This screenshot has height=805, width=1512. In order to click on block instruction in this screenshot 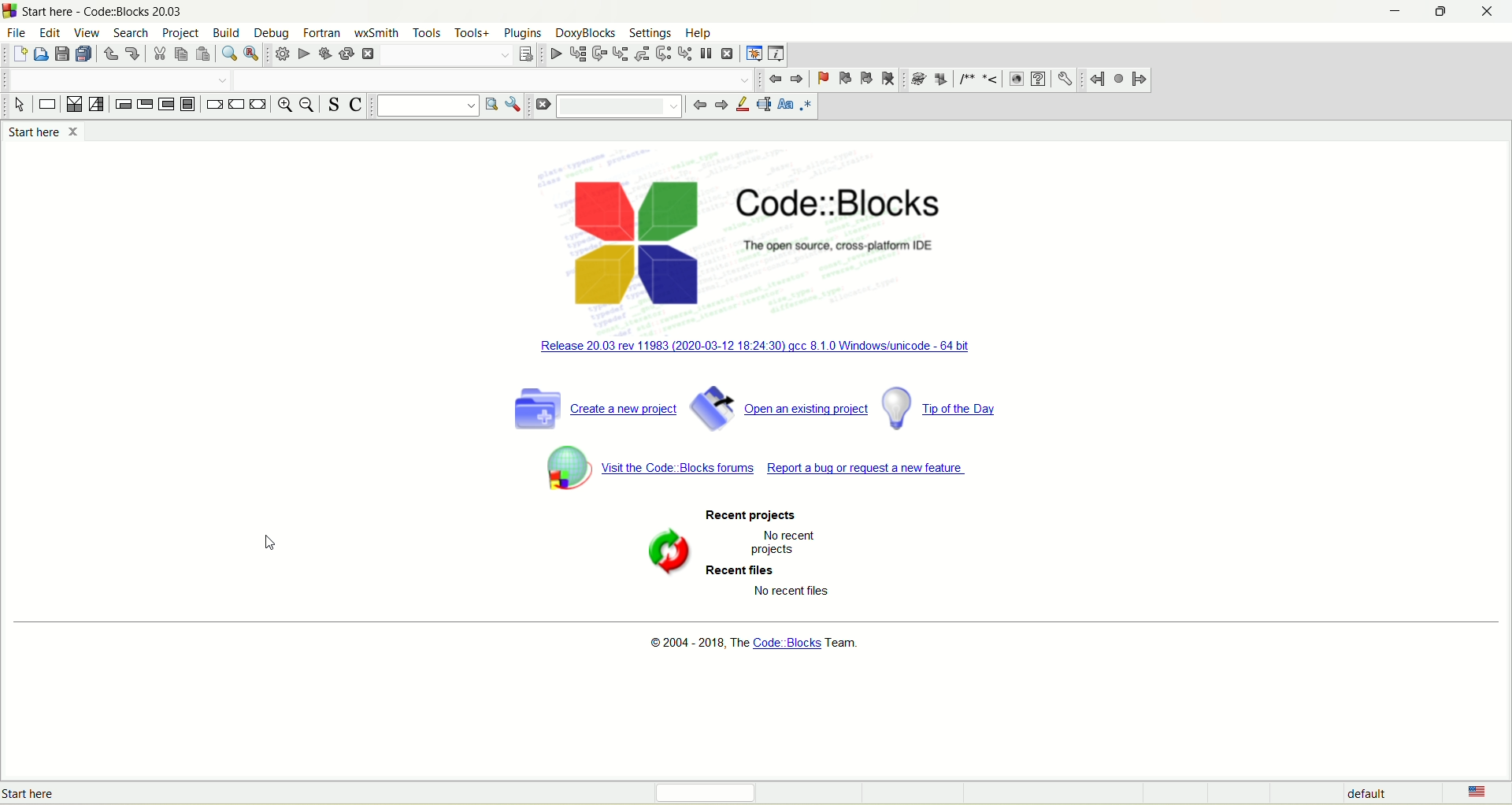, I will do `click(187, 102)`.